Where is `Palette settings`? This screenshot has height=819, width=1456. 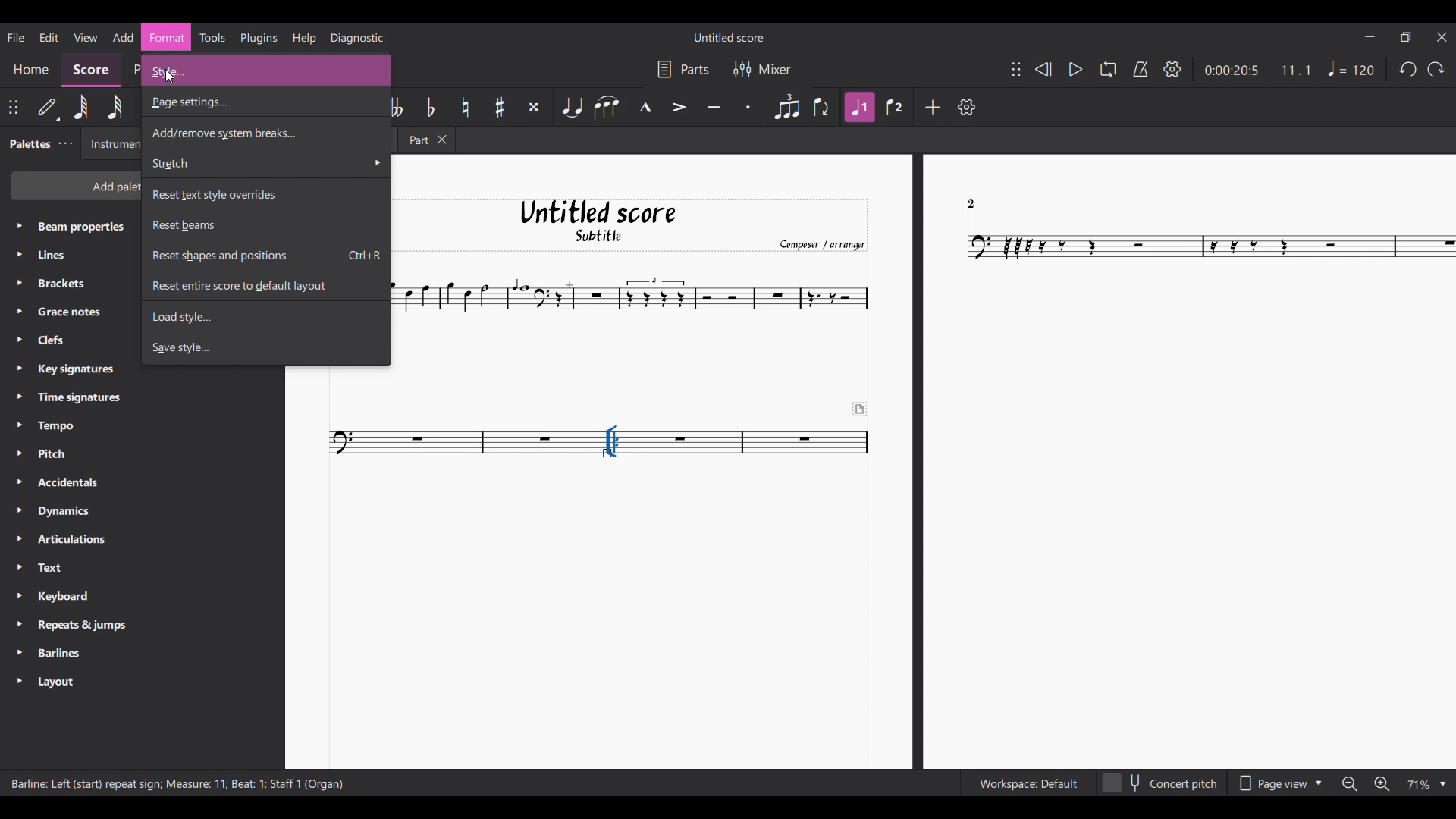
Palette settings is located at coordinates (66, 143).